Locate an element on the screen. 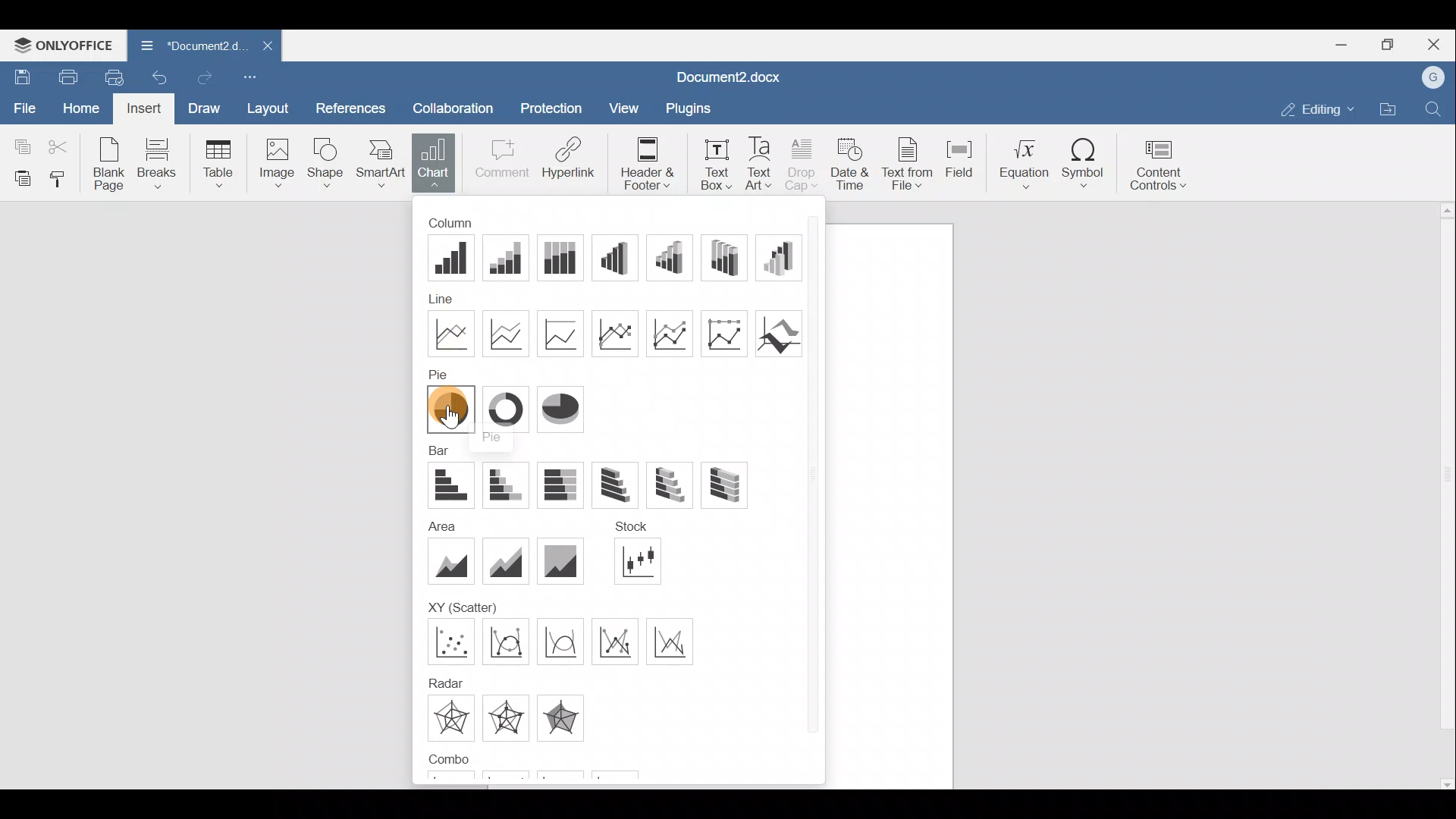 The height and width of the screenshot is (819, 1456). Collaboration is located at coordinates (450, 107).